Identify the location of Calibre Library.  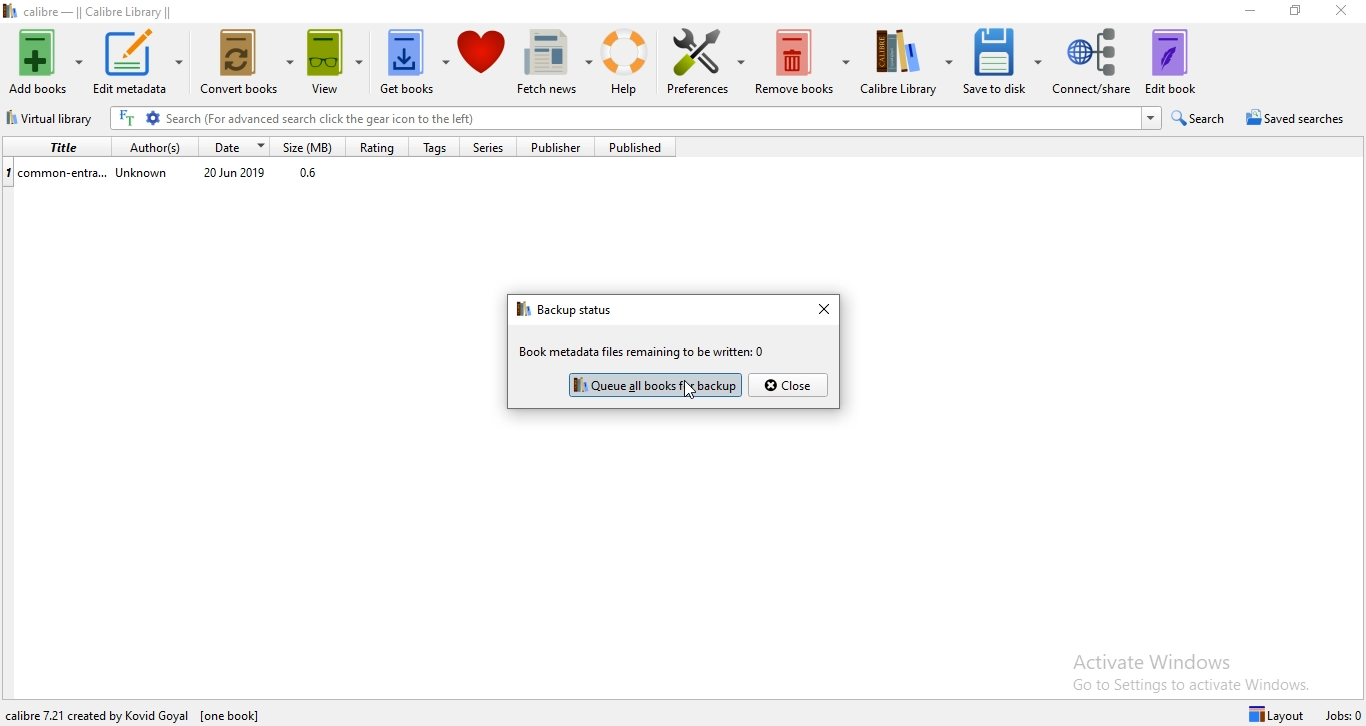
(908, 64).